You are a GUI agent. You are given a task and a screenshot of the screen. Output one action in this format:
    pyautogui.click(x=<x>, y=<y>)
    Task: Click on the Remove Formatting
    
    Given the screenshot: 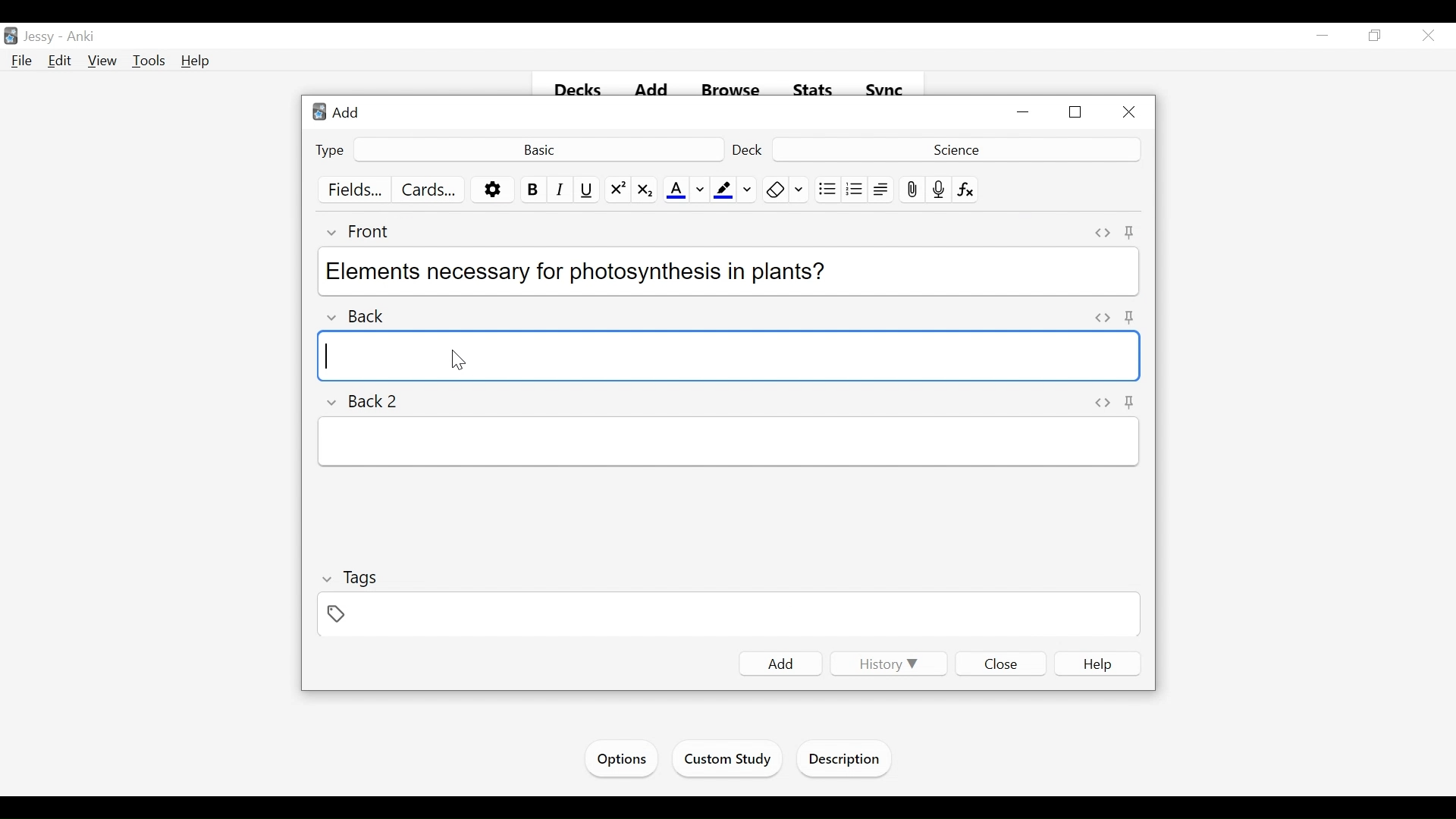 What is the action you would take?
    pyautogui.click(x=775, y=190)
    